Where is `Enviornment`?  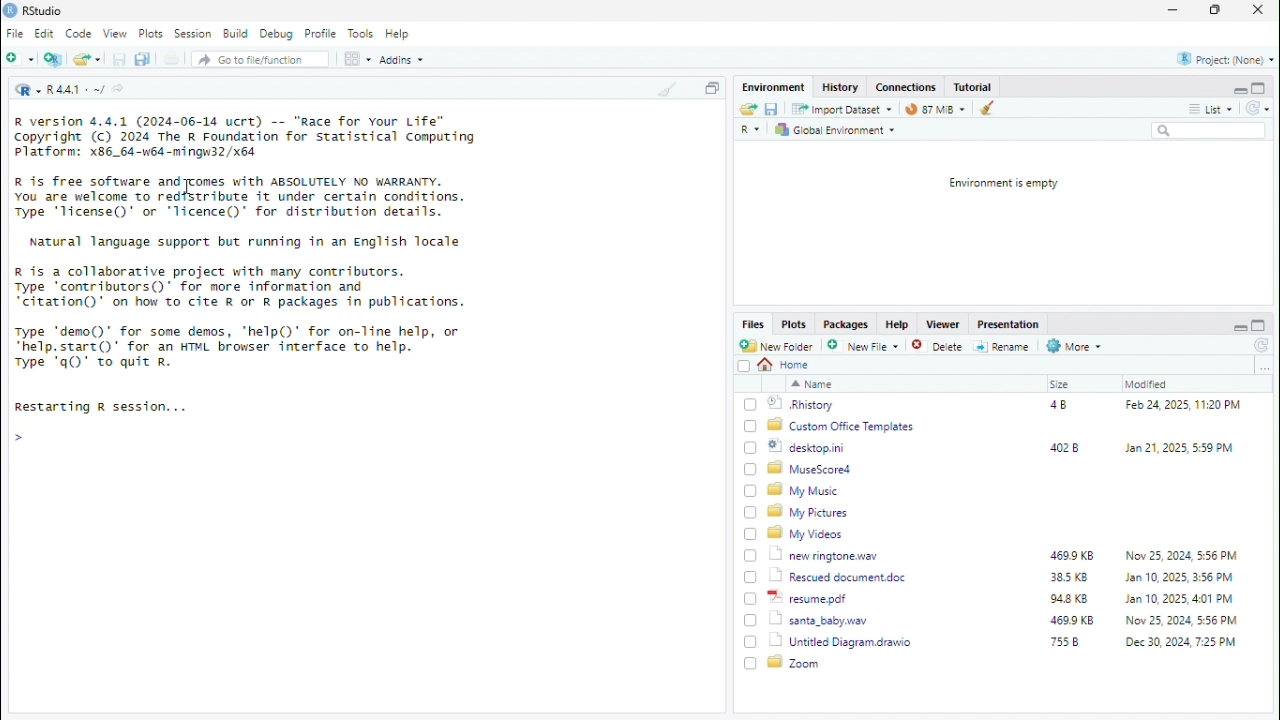
Enviornment is located at coordinates (775, 87).